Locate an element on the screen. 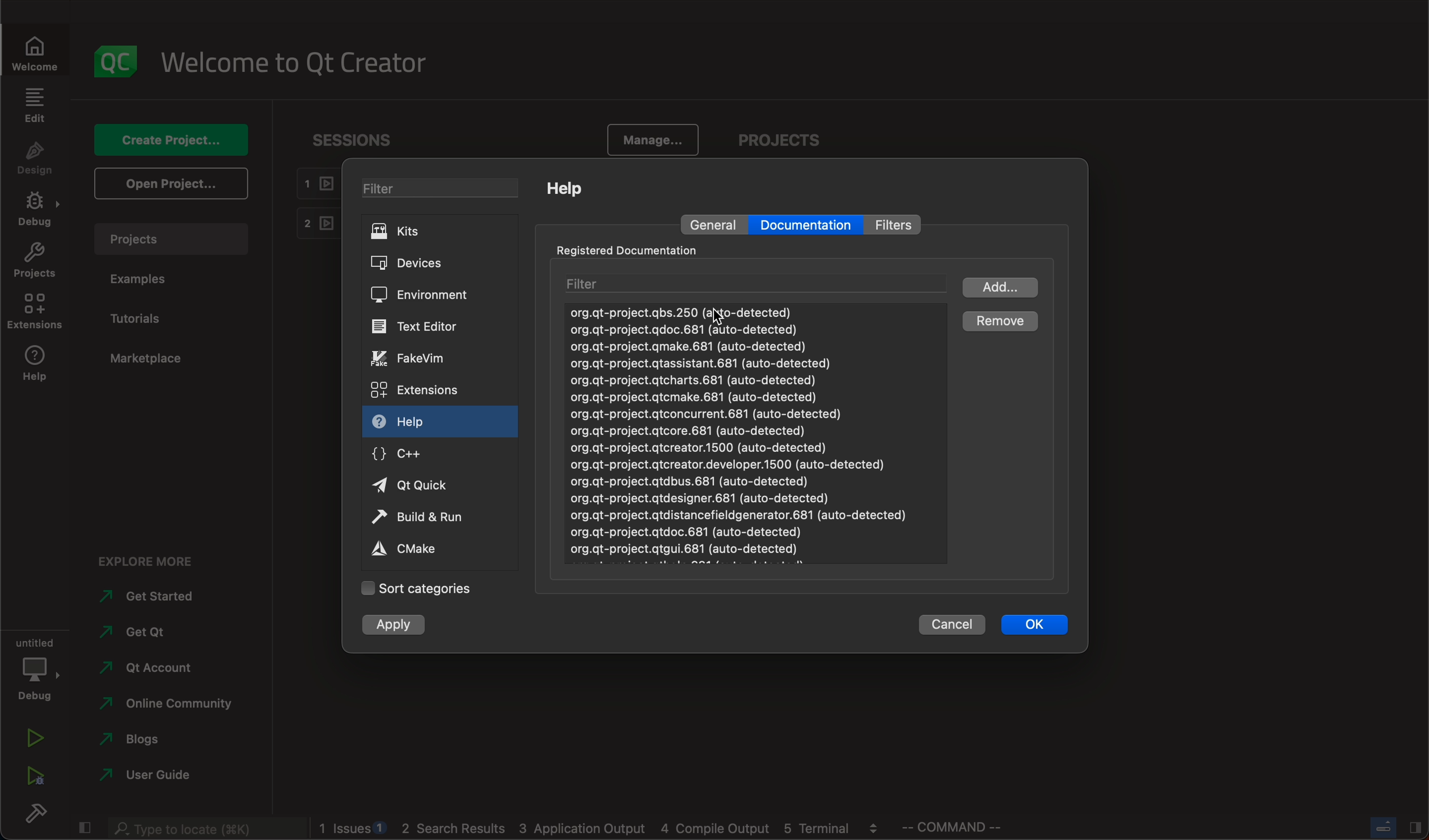  vim is located at coordinates (422, 357).